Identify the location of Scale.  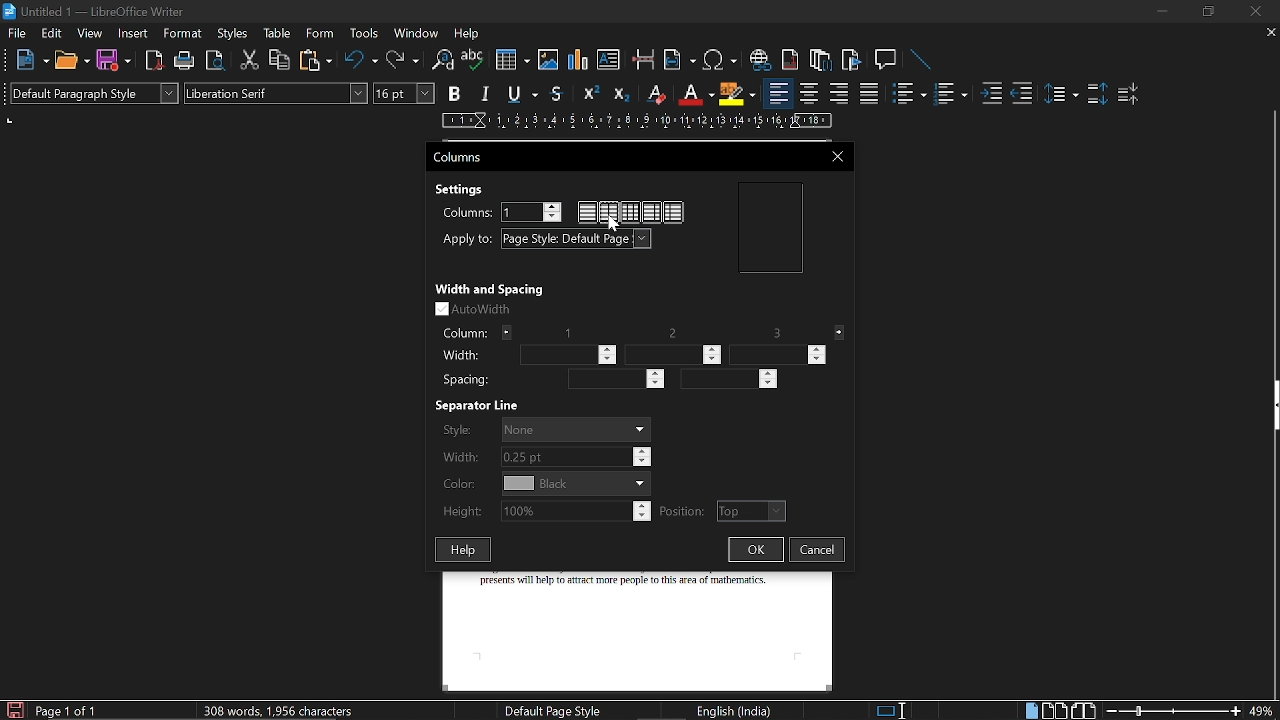
(637, 121).